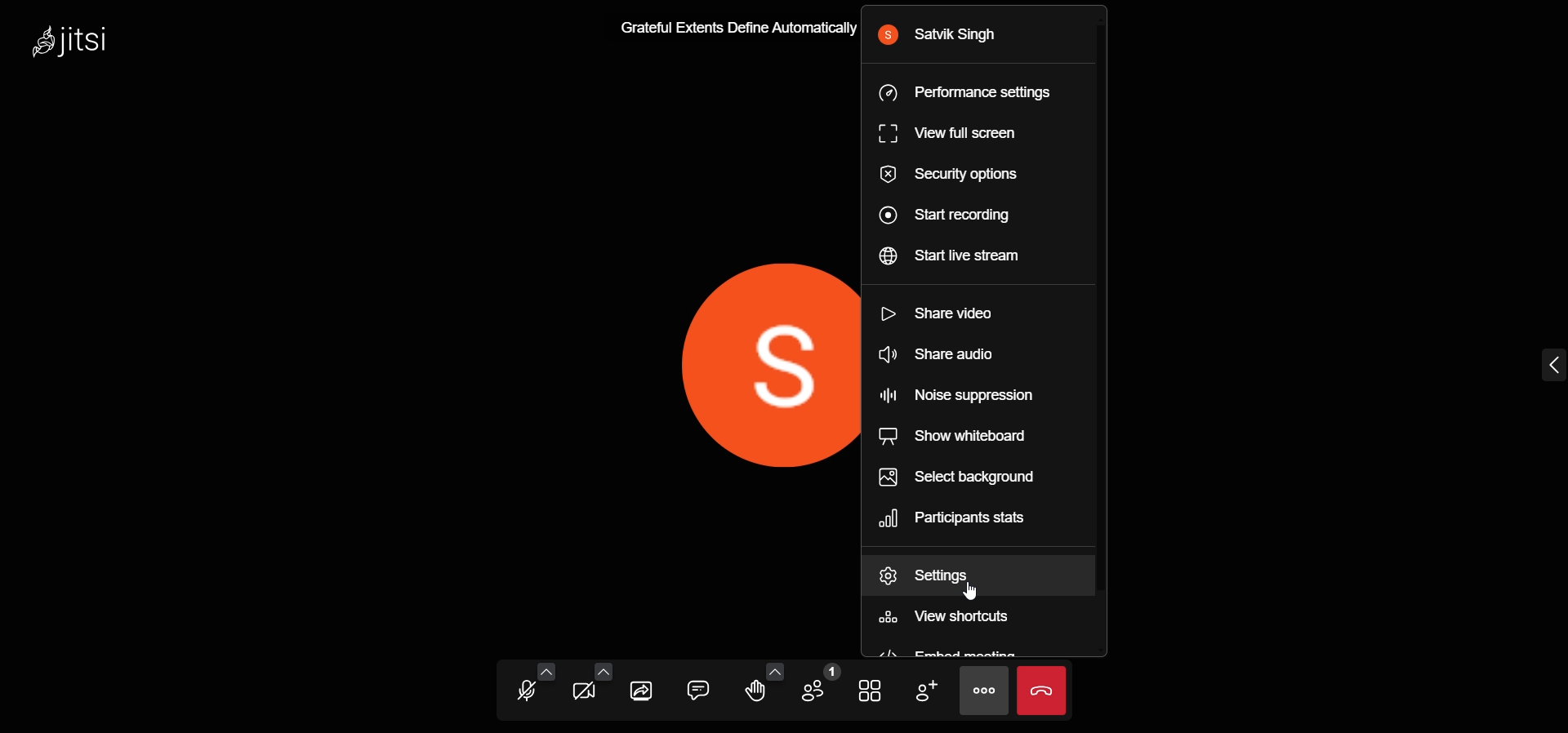  What do you see at coordinates (950, 256) in the screenshot?
I see `start live stream` at bounding box center [950, 256].